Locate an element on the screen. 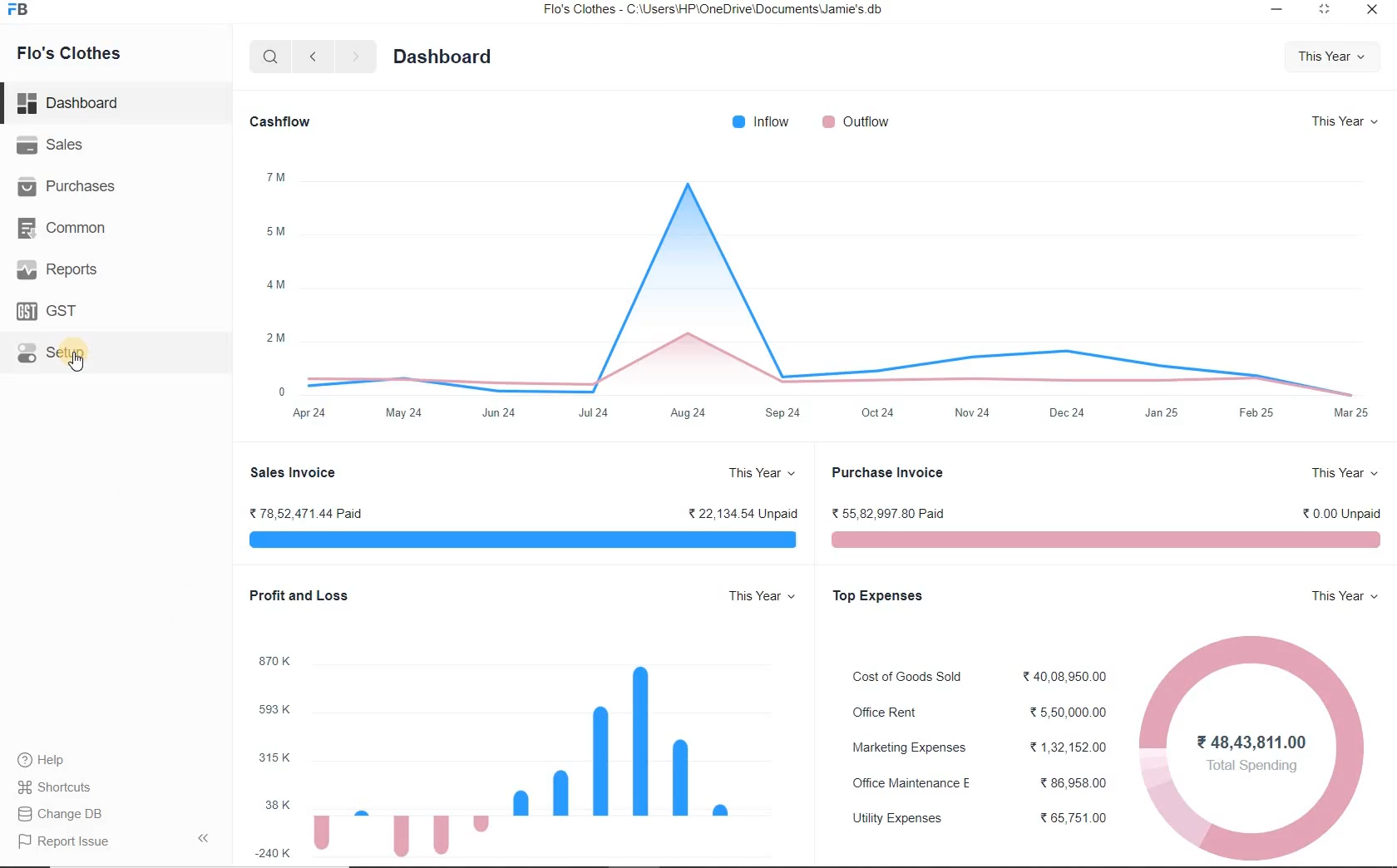  Profit and Loss is located at coordinates (298, 594).